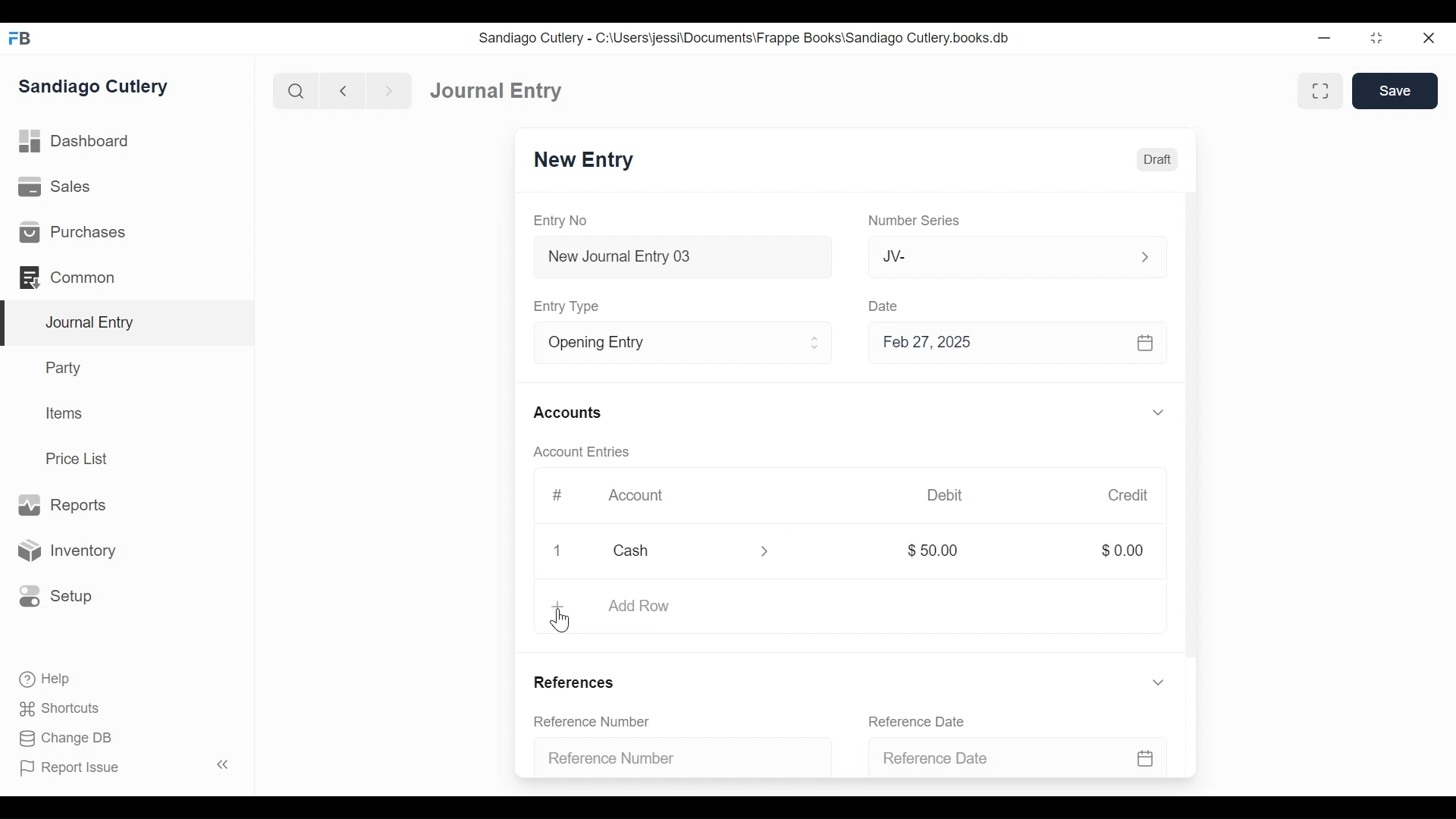  Describe the element at coordinates (65, 550) in the screenshot. I see `Inventory` at that location.